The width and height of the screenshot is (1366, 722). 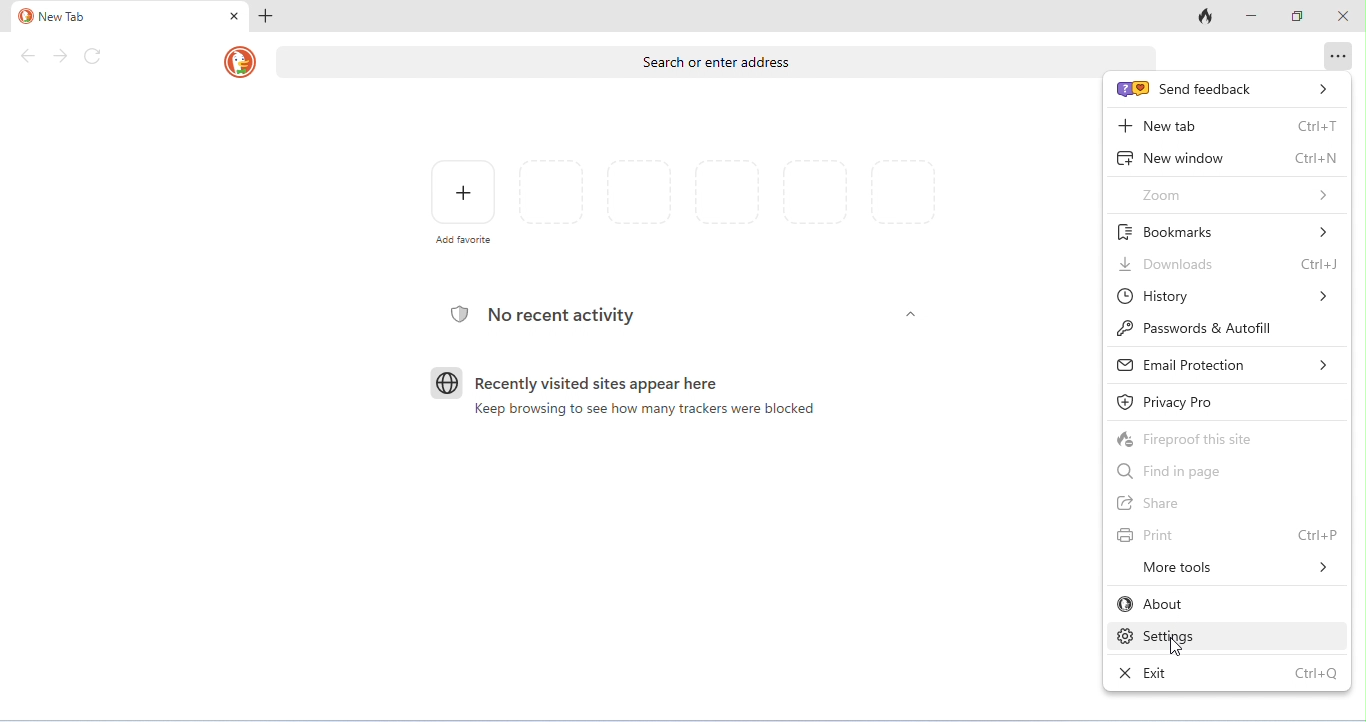 What do you see at coordinates (53, 17) in the screenshot?
I see `new tab` at bounding box center [53, 17].